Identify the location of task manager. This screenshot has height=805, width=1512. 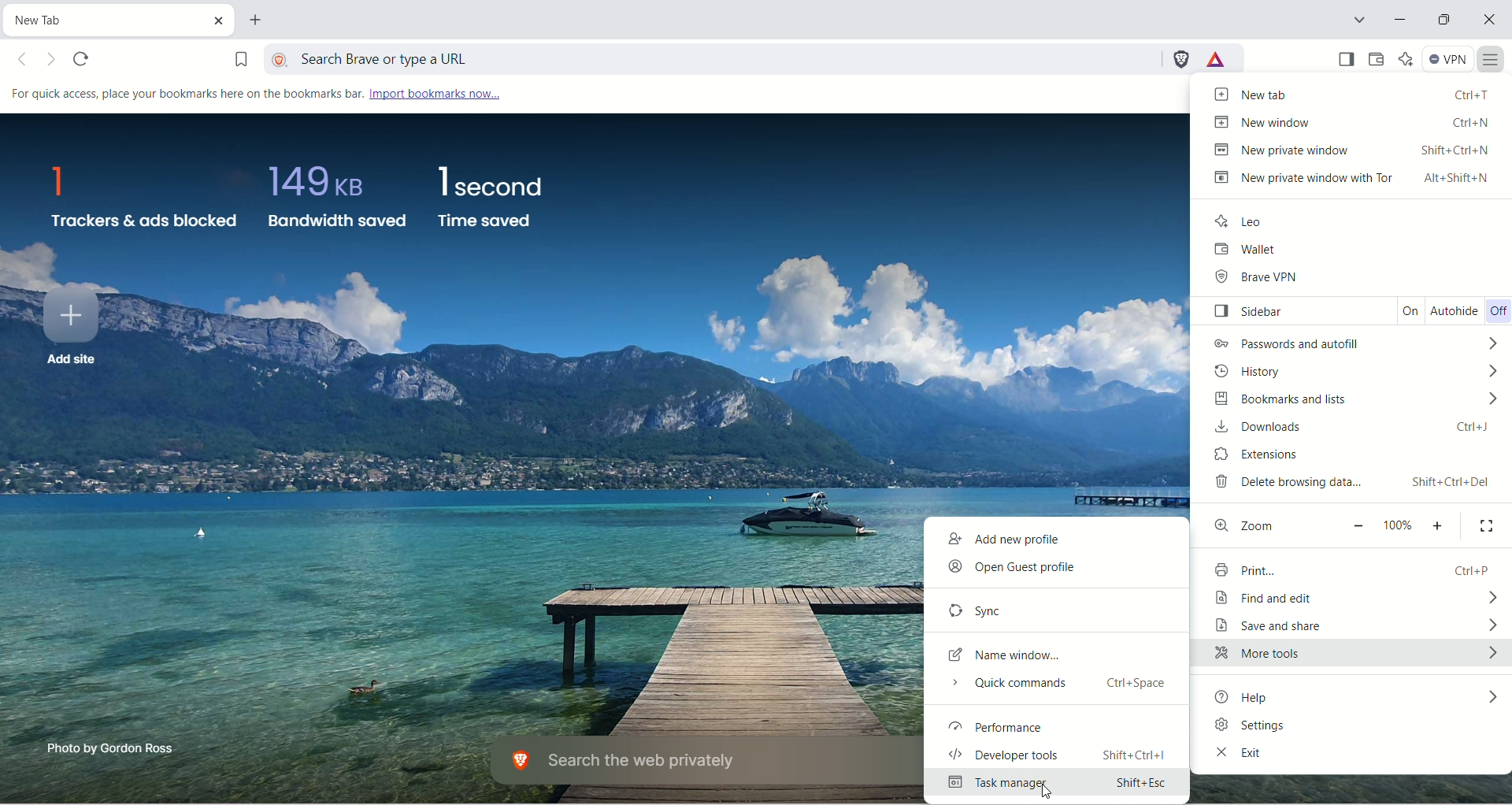
(1065, 787).